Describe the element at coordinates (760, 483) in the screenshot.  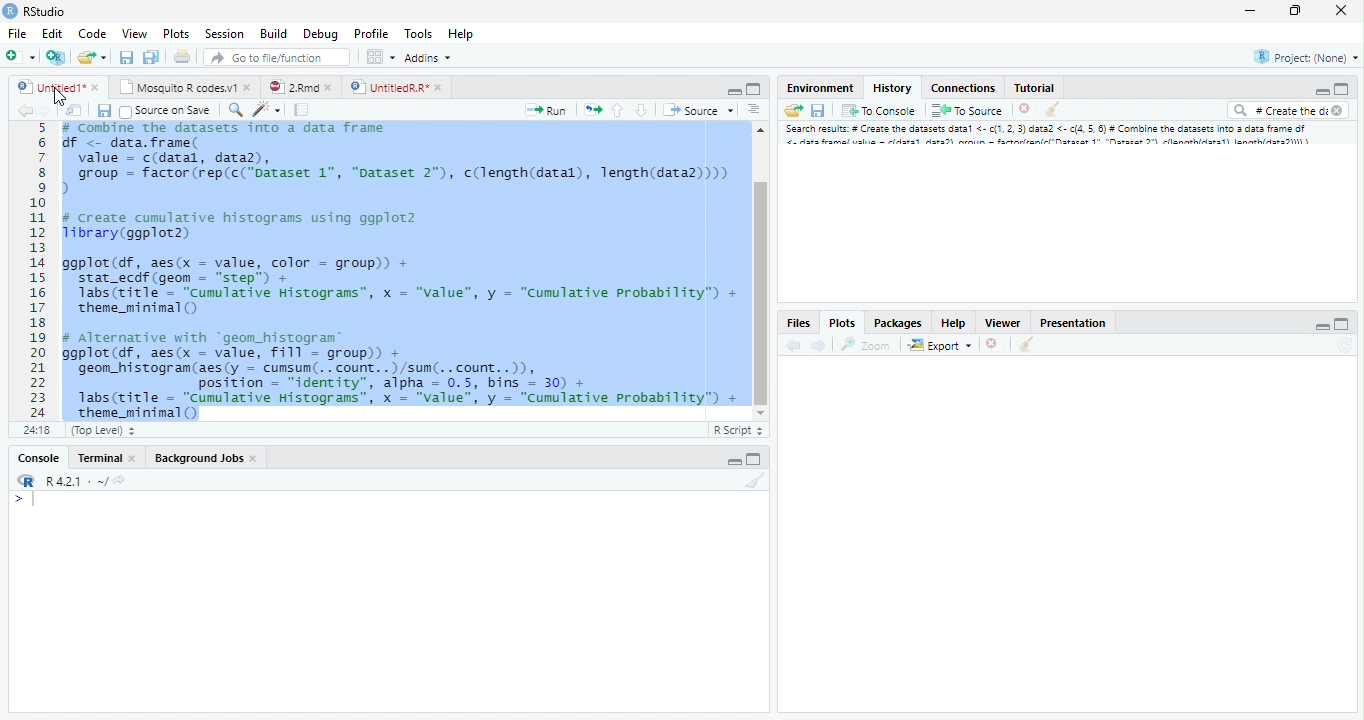
I see `Clear Console` at that location.